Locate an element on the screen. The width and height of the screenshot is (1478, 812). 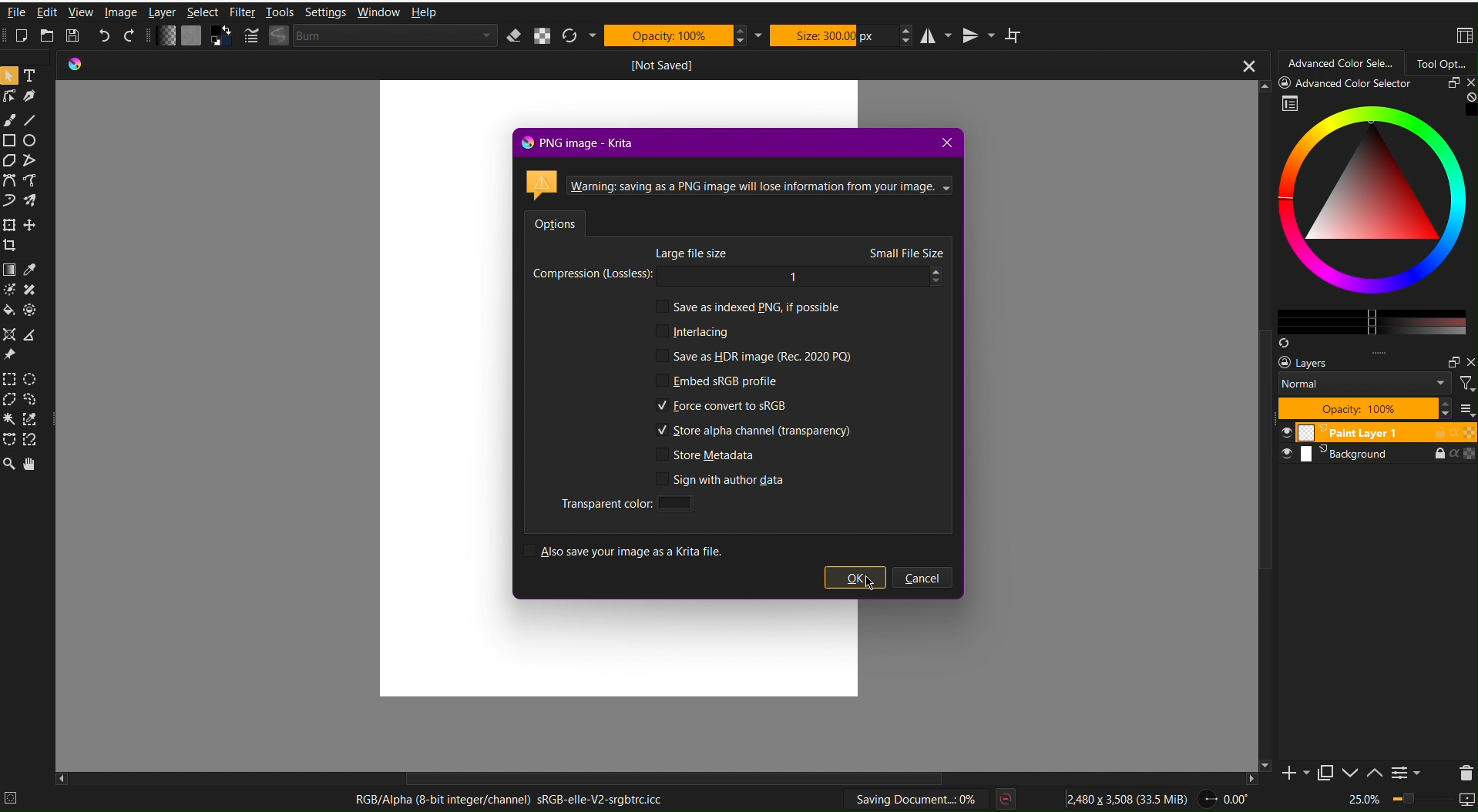
Brush is located at coordinates (9, 120).